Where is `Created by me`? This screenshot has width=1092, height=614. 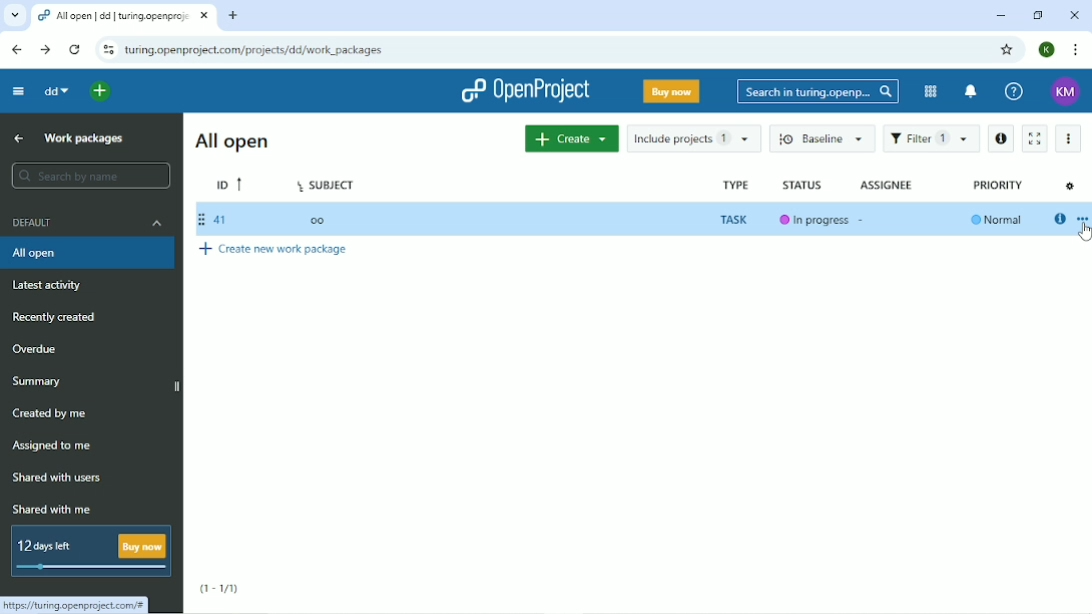 Created by me is located at coordinates (49, 412).